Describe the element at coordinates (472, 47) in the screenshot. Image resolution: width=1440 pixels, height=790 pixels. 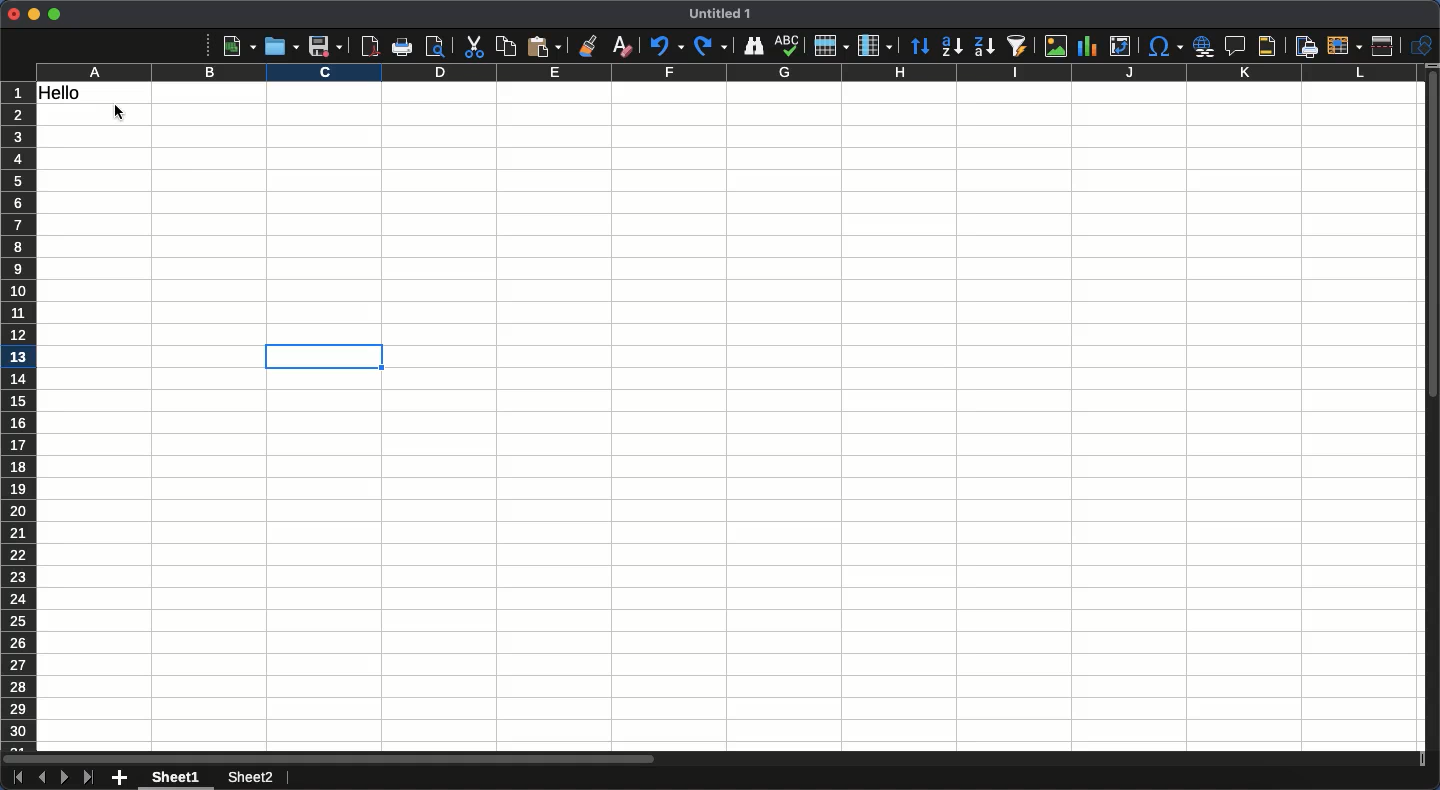
I see `Cut` at that location.